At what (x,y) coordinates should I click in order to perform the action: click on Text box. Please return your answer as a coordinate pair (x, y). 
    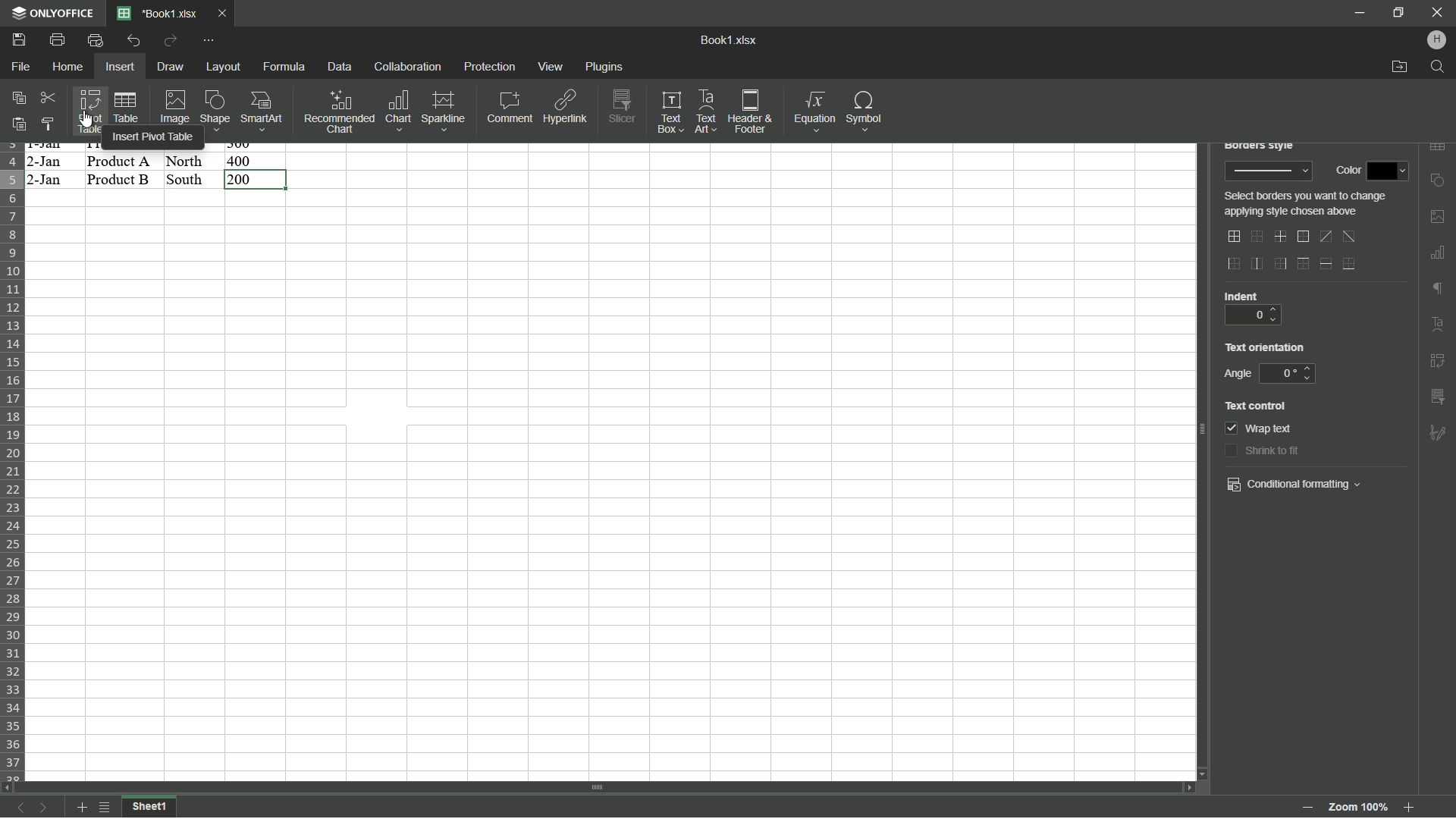
    Looking at the image, I should click on (670, 112).